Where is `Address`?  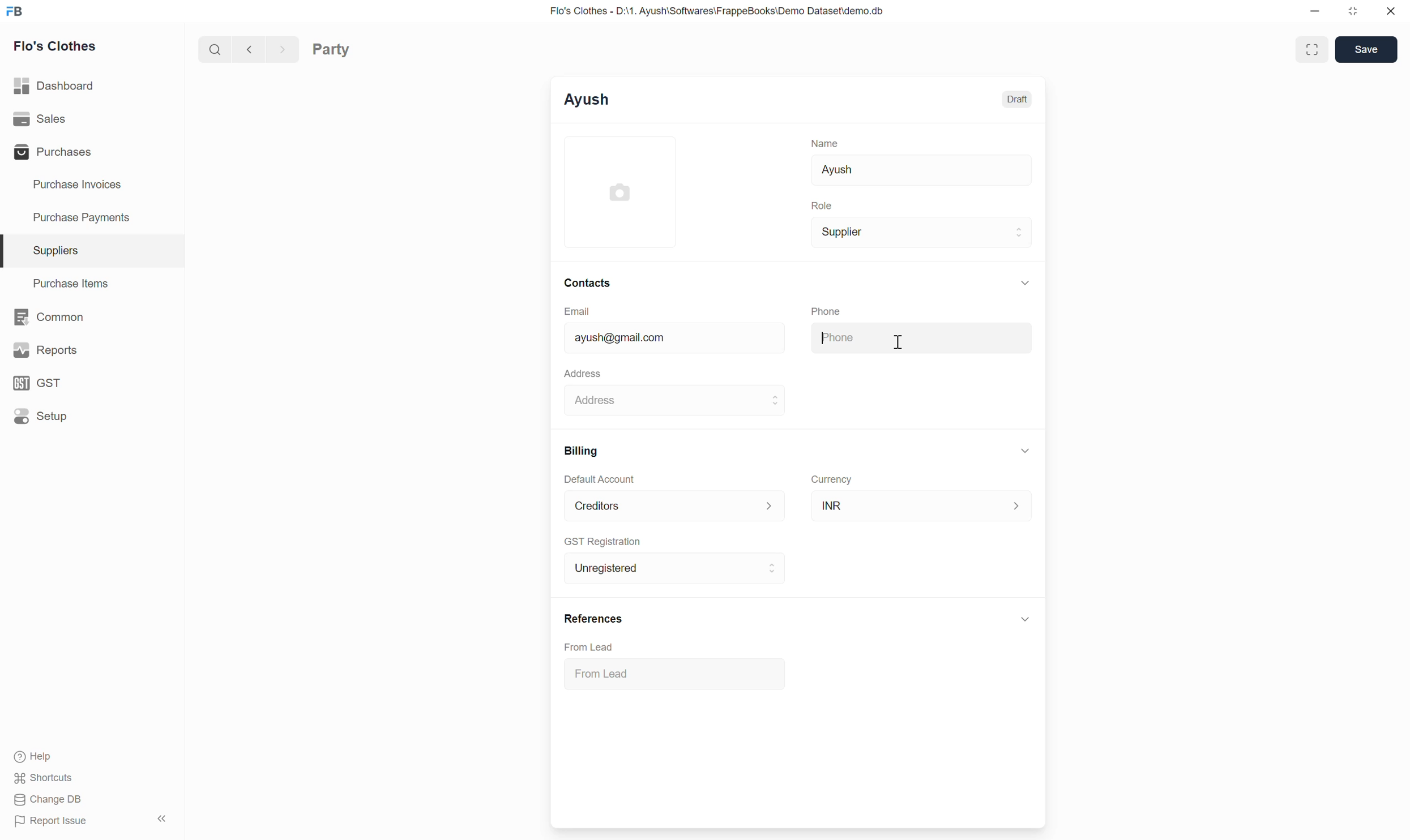 Address is located at coordinates (583, 373).